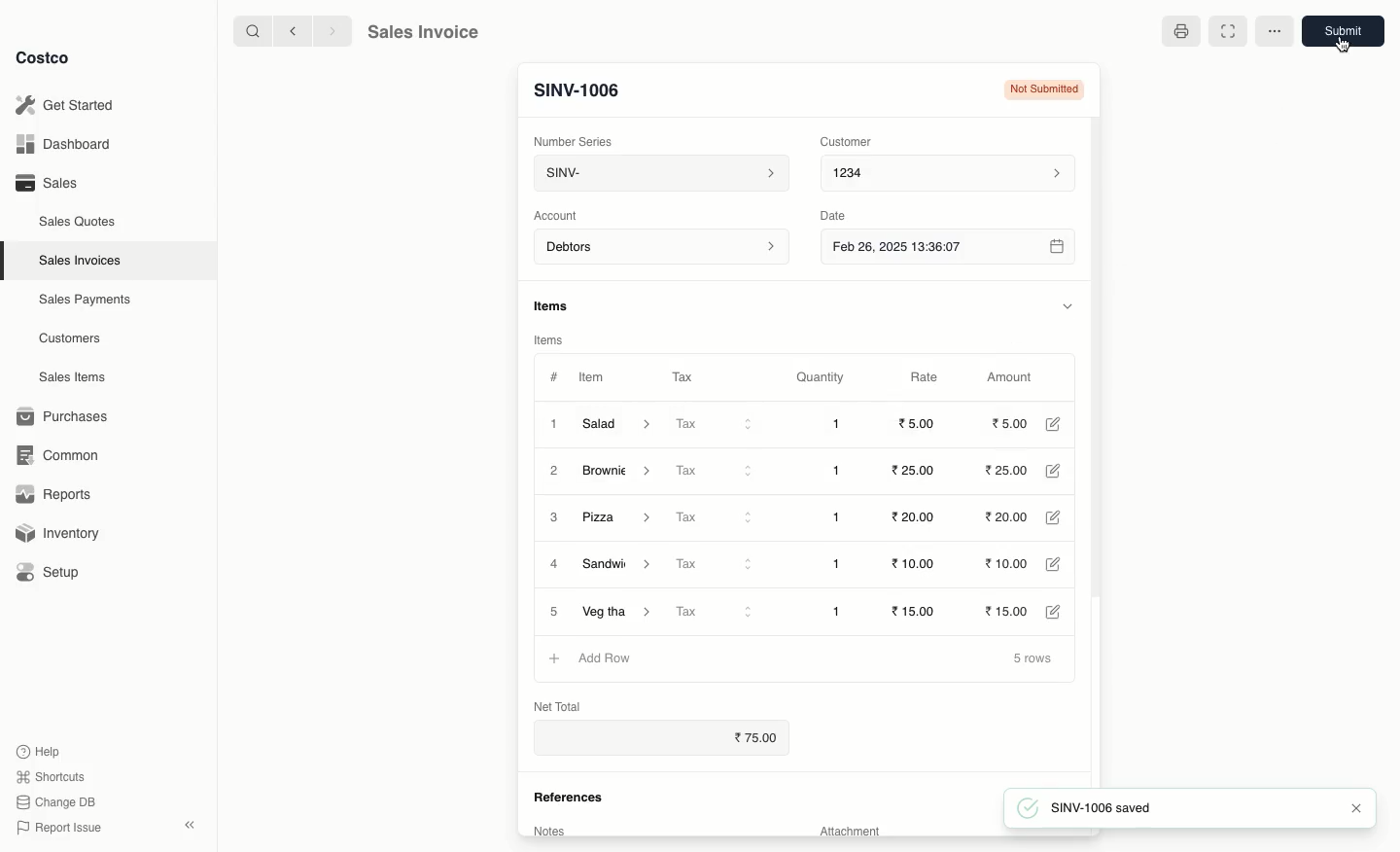  I want to click on Customer, so click(849, 140).